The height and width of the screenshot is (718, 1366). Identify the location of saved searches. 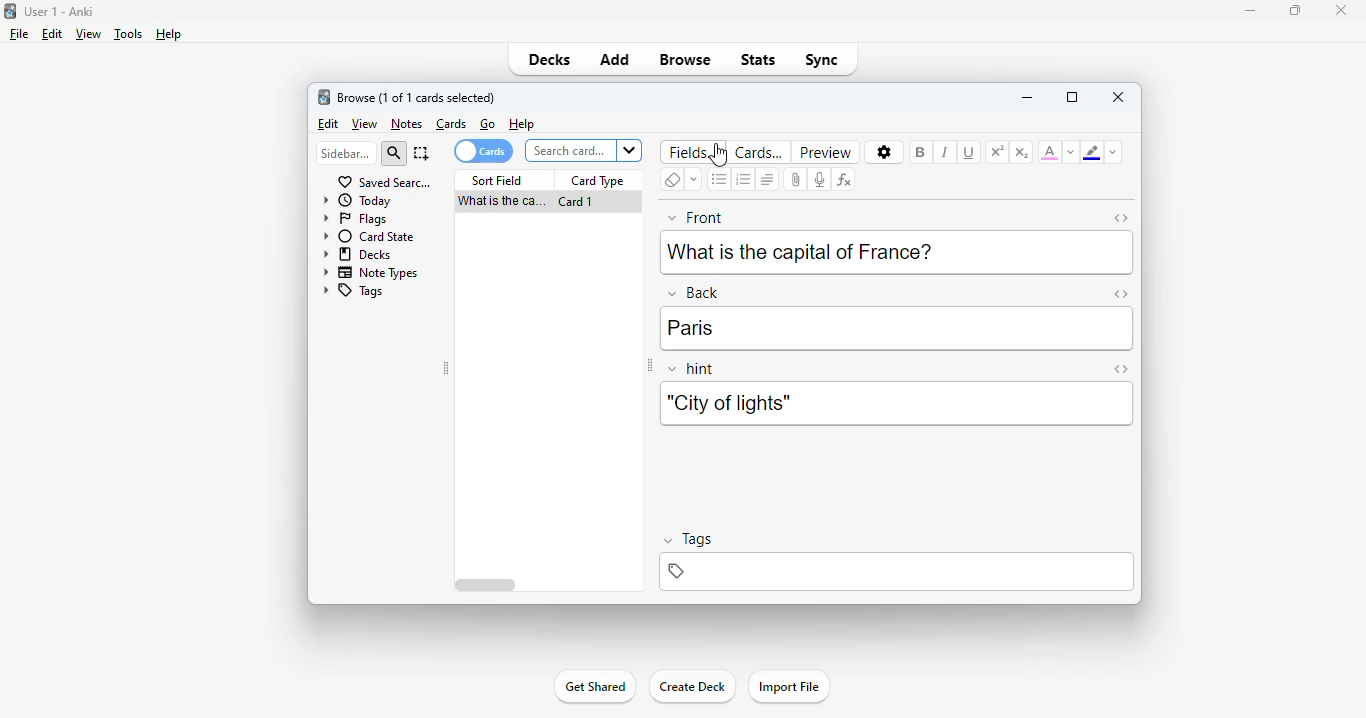
(384, 181).